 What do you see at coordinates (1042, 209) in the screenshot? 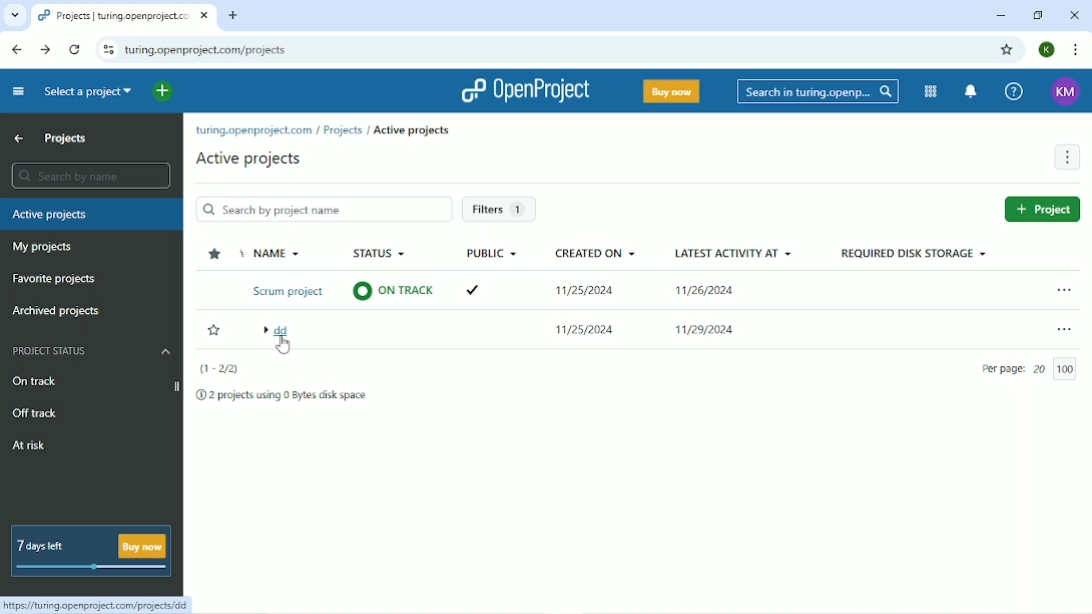
I see `Project` at bounding box center [1042, 209].